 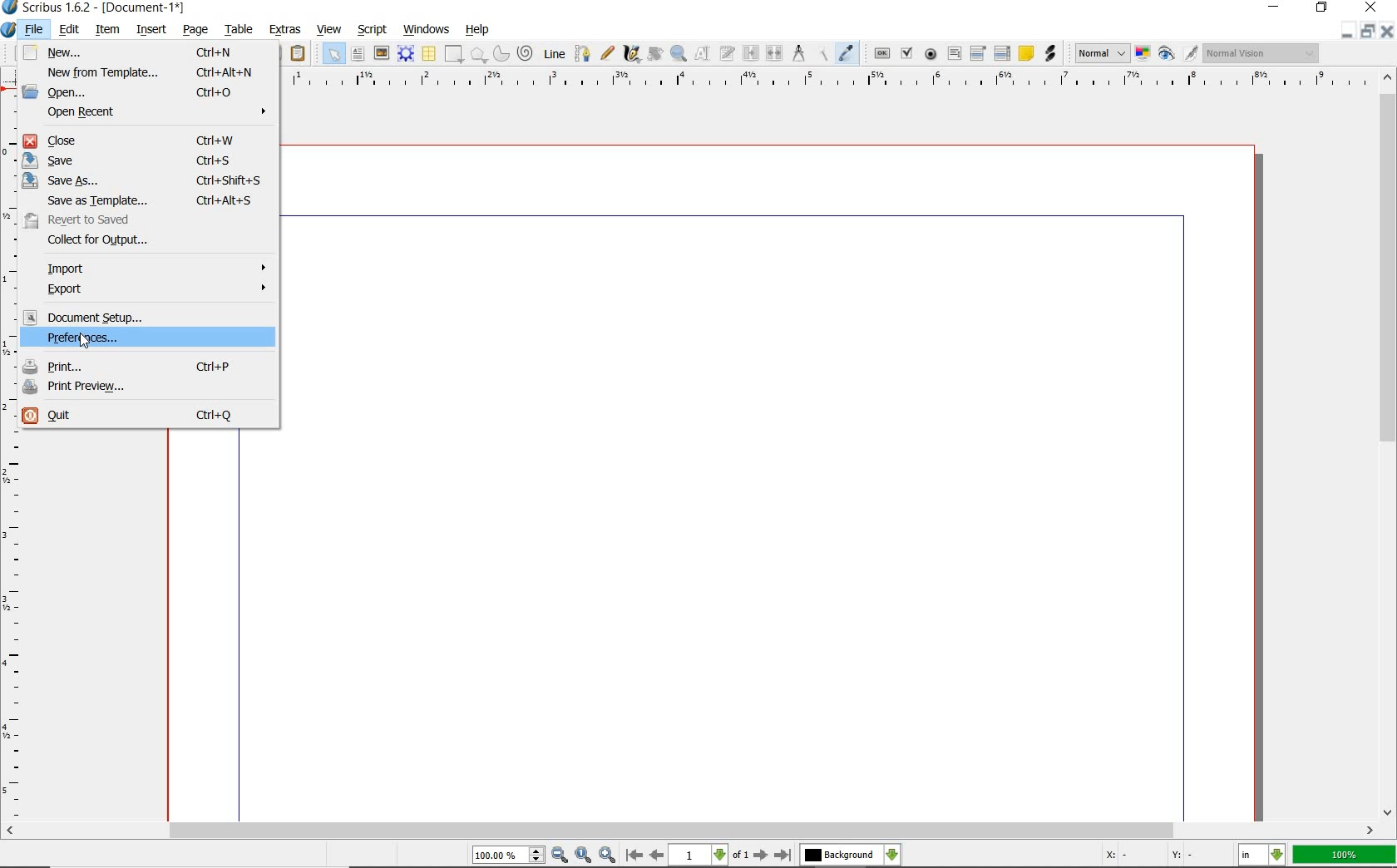 I want to click on image frame, so click(x=382, y=55).